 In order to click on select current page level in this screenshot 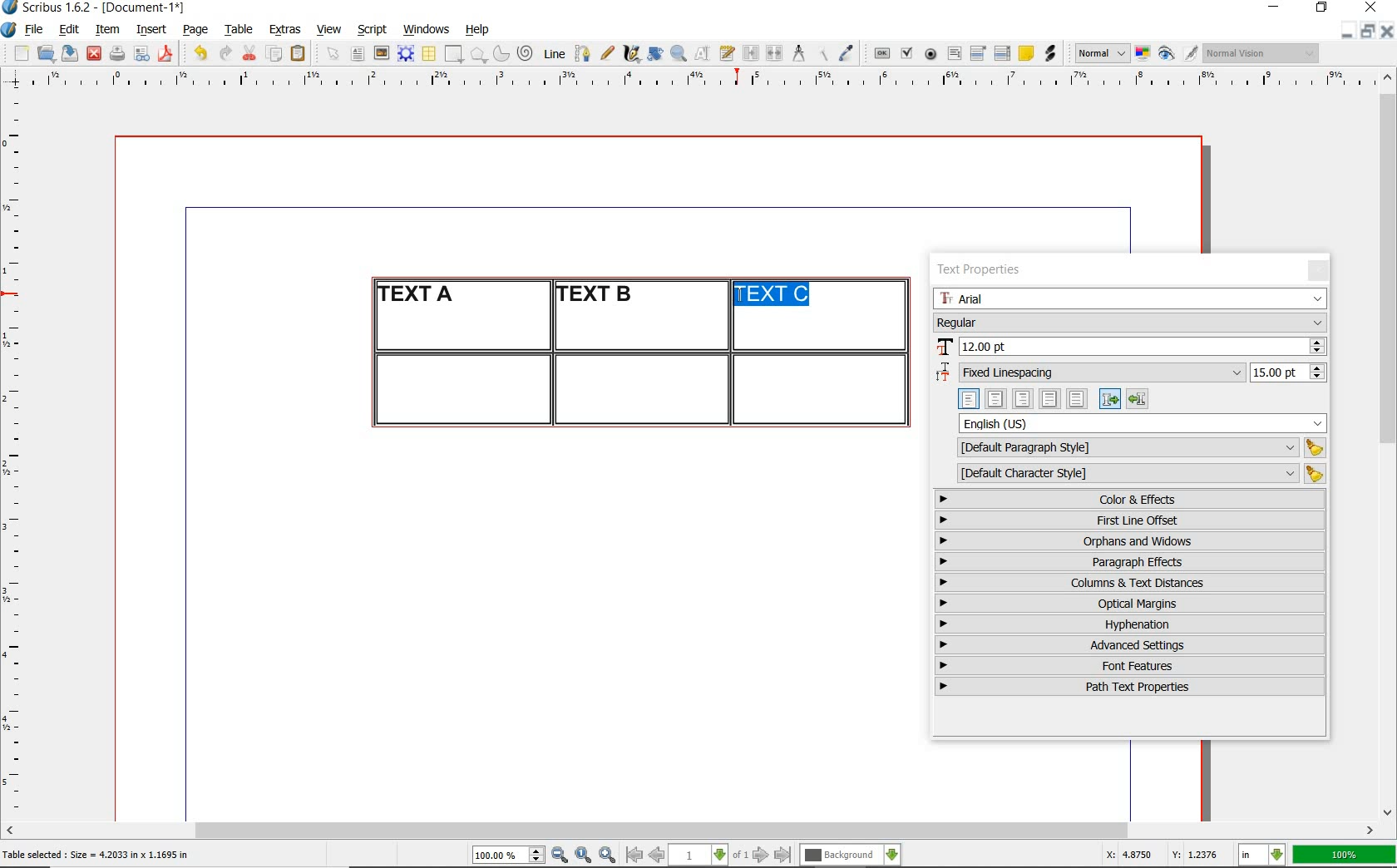, I will do `click(708, 855)`.